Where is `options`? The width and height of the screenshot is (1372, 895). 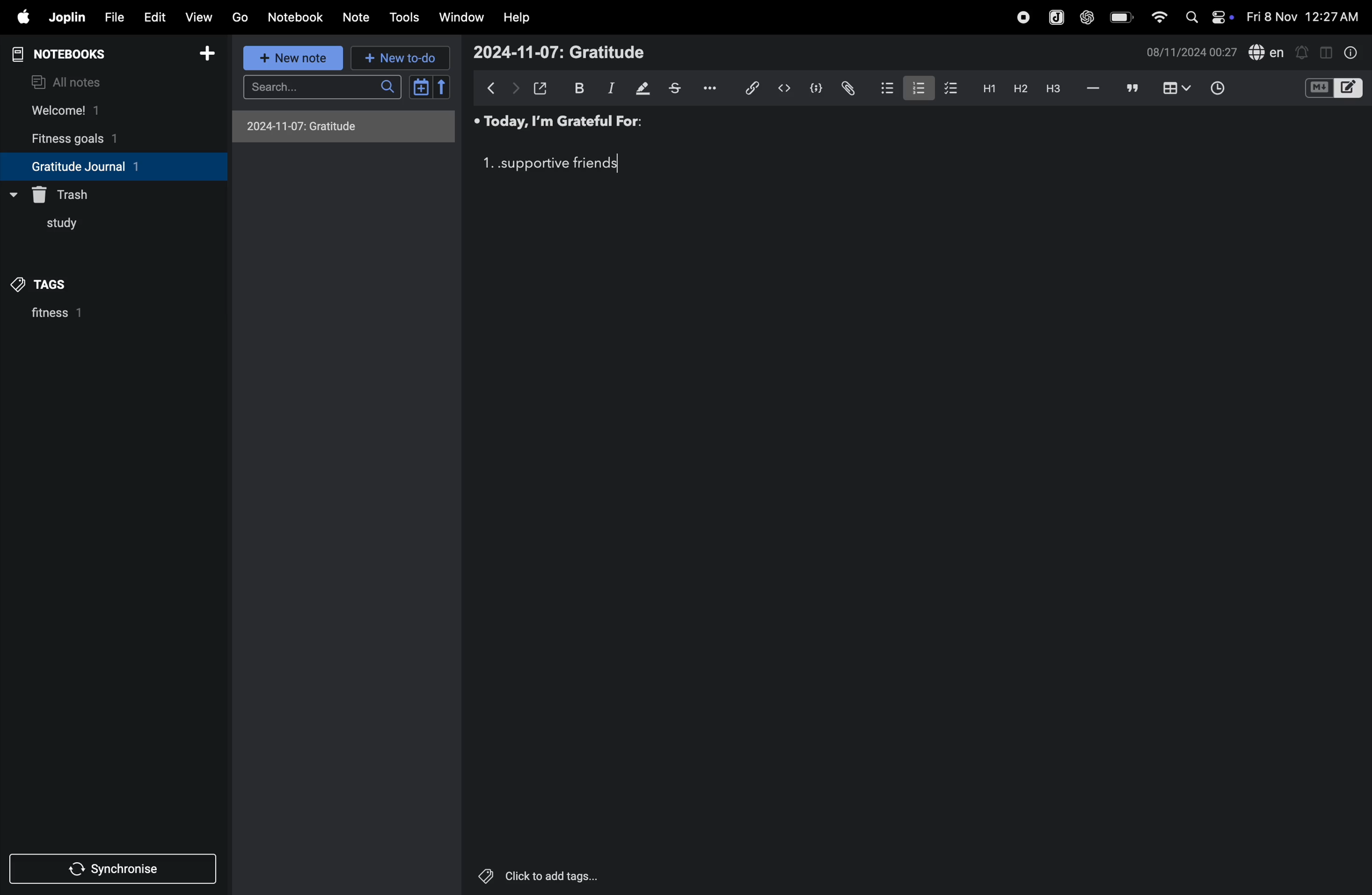 options is located at coordinates (715, 87).